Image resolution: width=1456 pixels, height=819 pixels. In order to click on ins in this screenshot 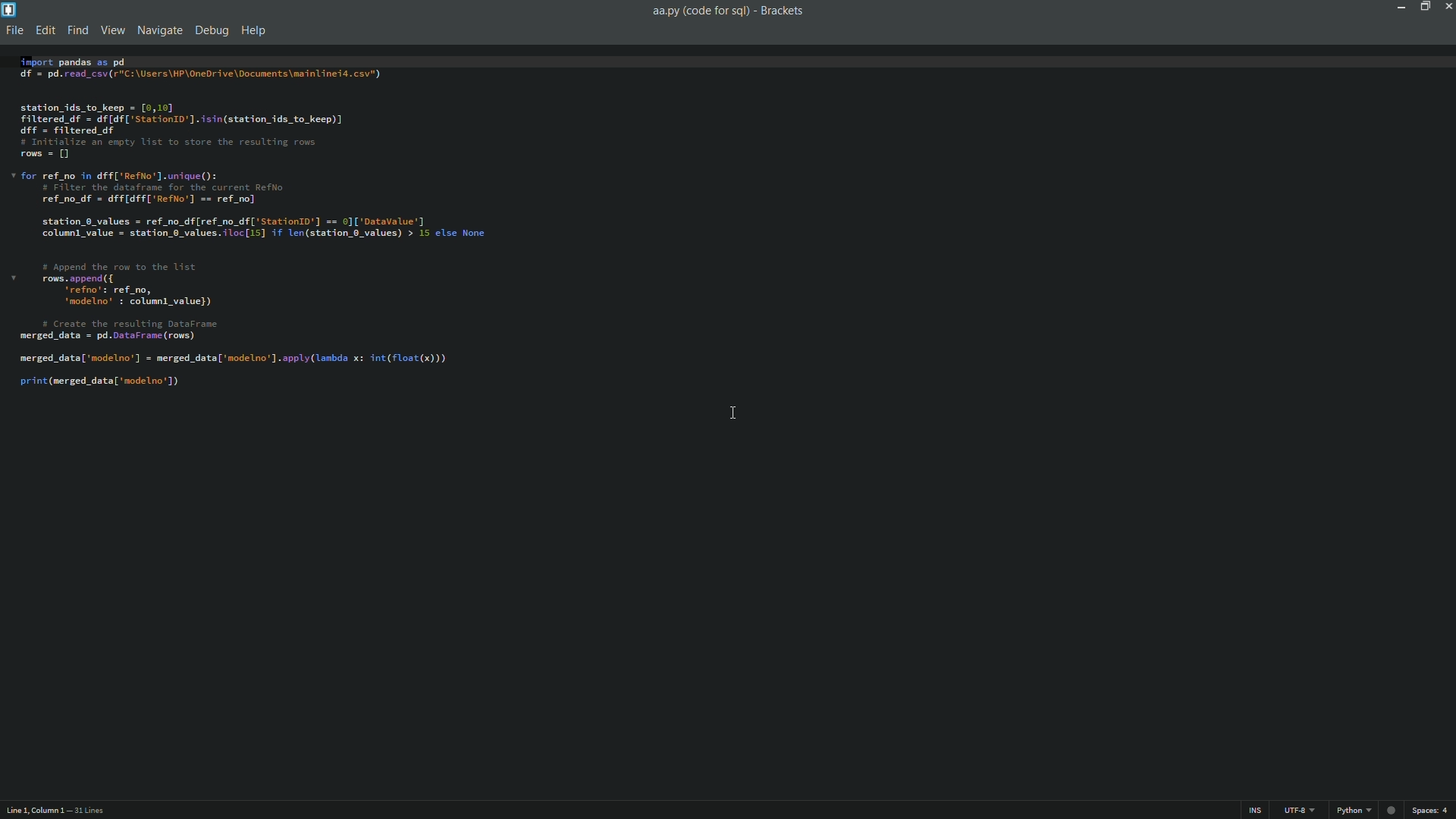, I will do `click(1254, 810)`.